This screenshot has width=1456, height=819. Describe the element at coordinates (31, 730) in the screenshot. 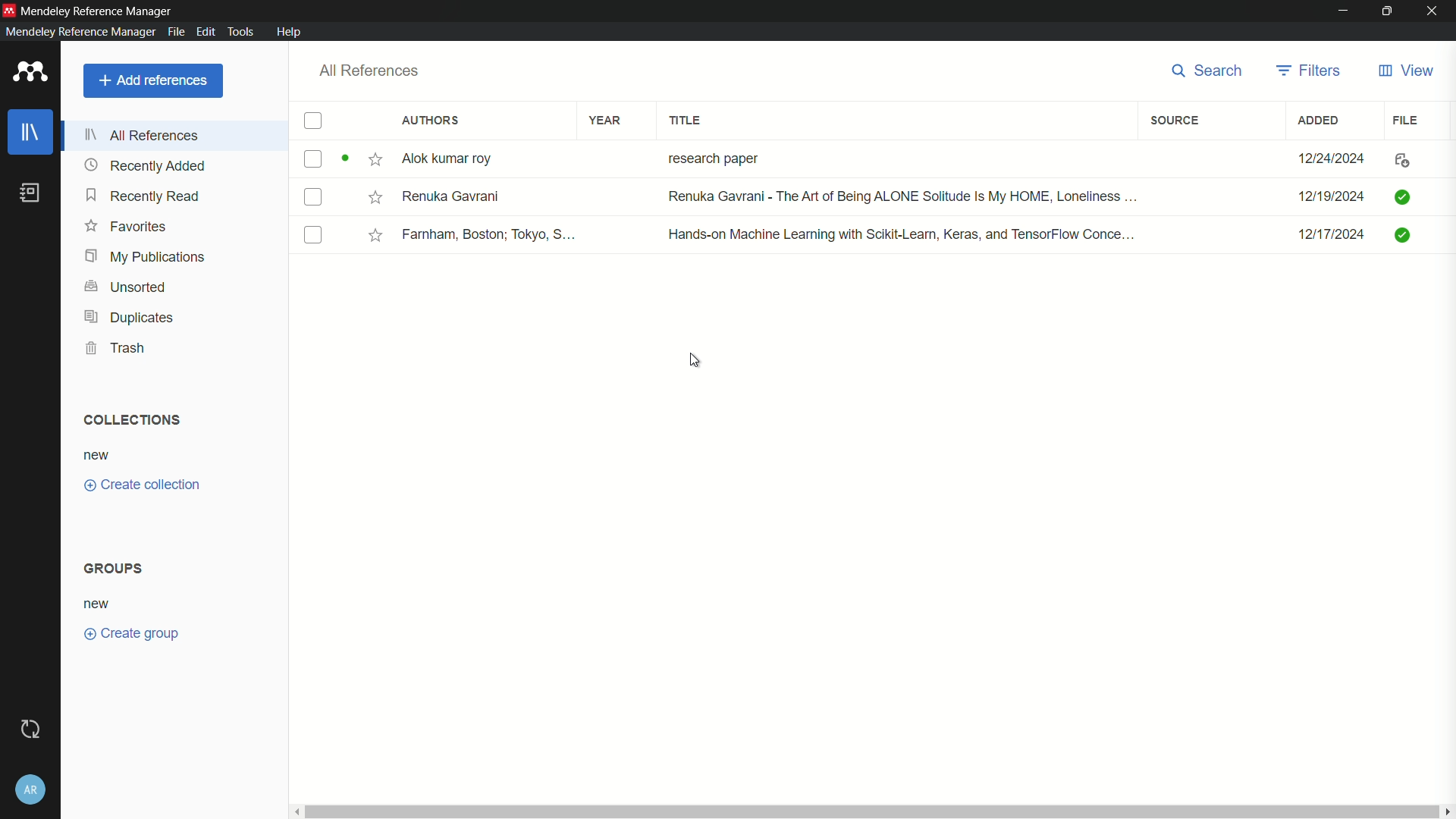

I see `sync` at that location.